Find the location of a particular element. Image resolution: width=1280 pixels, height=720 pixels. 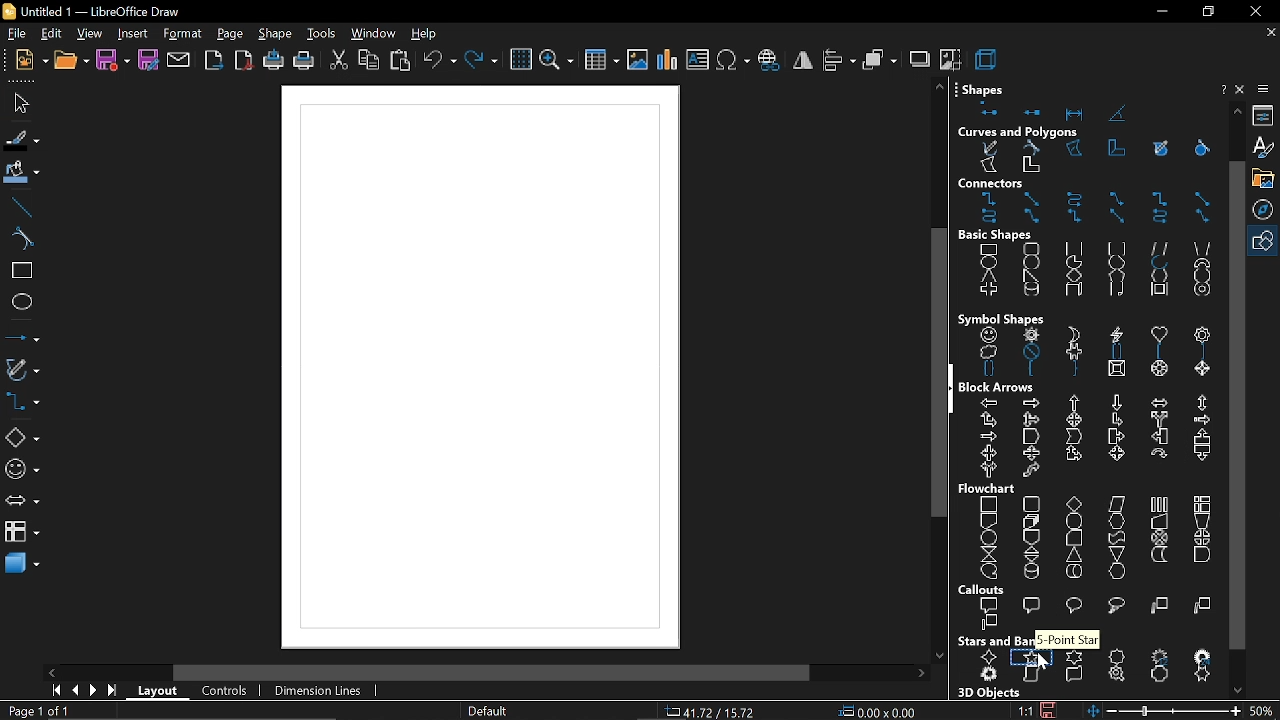

rectangle is located at coordinates (20, 273).